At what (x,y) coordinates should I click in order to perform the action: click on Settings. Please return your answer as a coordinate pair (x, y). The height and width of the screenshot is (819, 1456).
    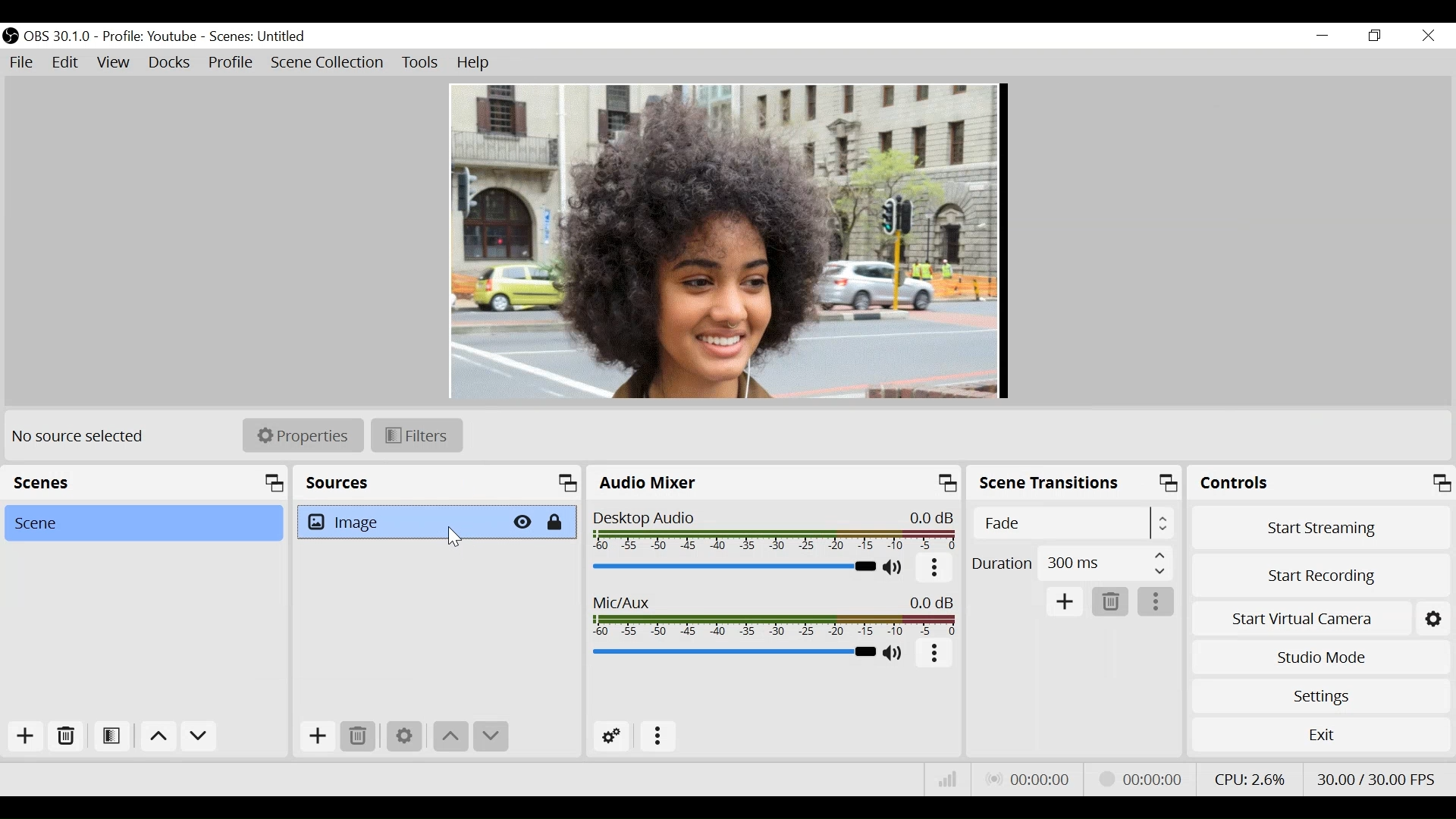
    Looking at the image, I should click on (1321, 694).